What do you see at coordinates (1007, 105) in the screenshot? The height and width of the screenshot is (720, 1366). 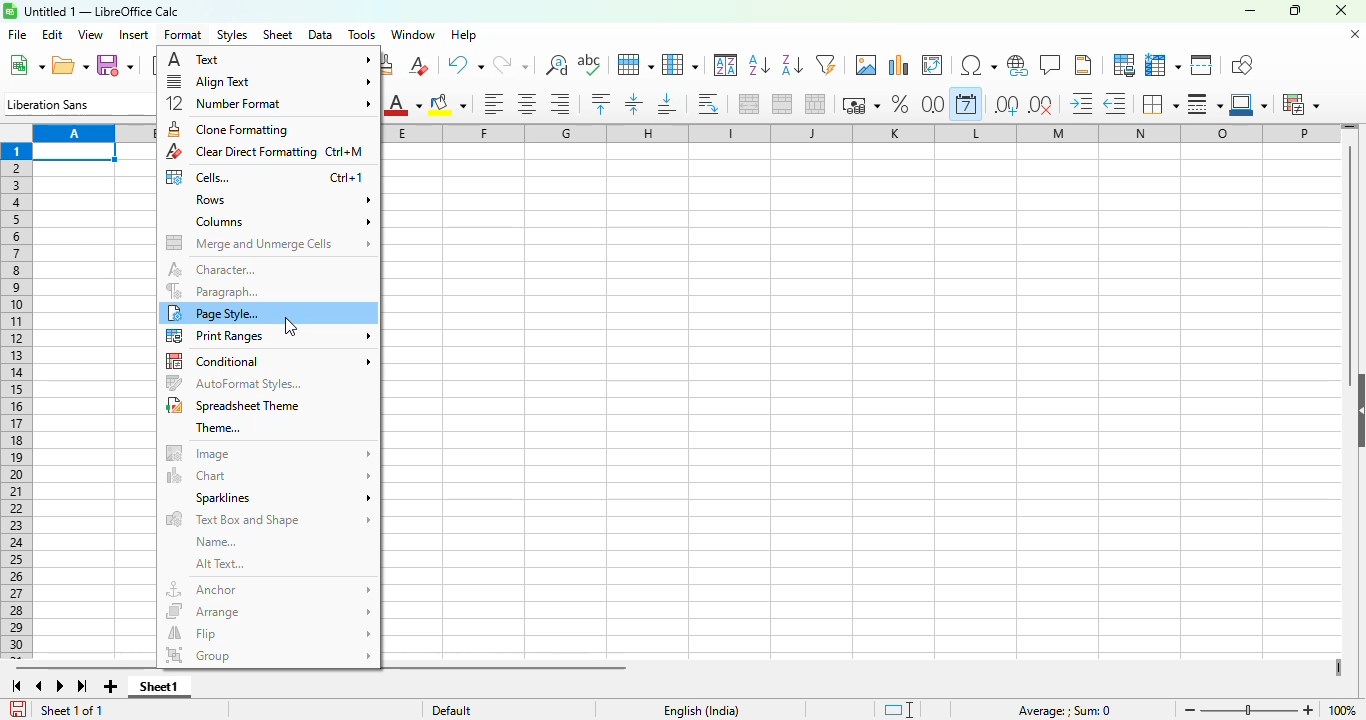 I see `add decimal` at bounding box center [1007, 105].